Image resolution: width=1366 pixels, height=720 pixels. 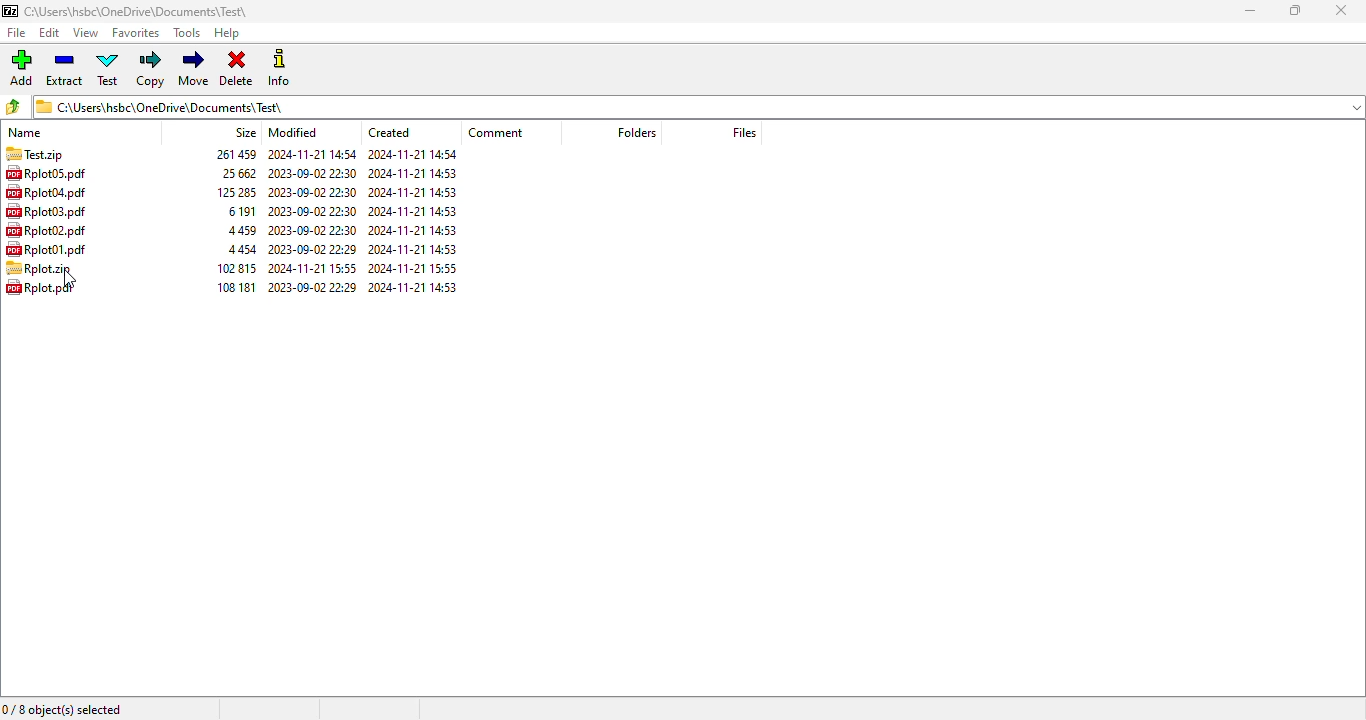 I want to click on logo, so click(x=11, y=11).